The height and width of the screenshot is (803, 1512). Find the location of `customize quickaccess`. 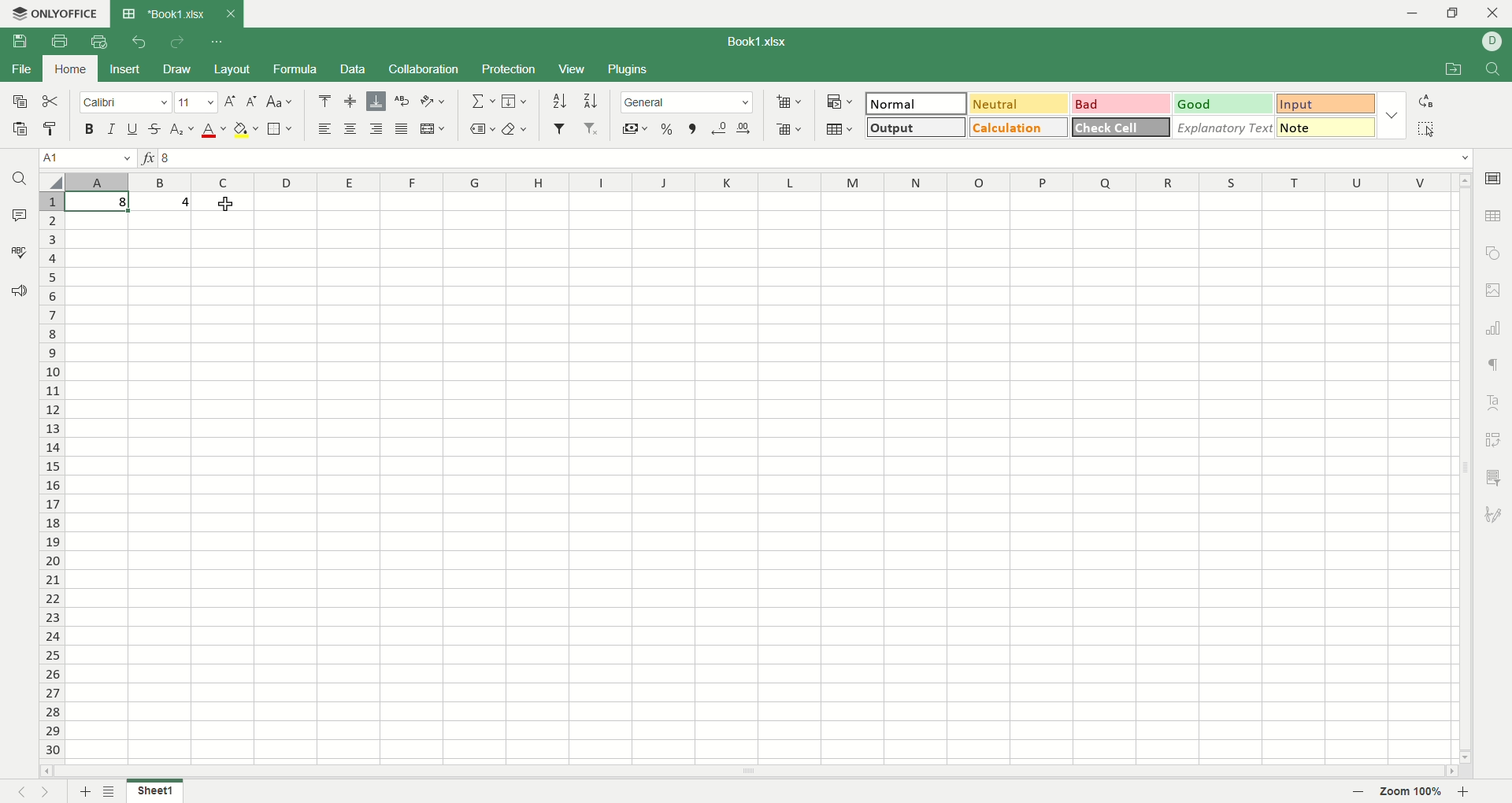

customize quickaccess is located at coordinates (218, 42).